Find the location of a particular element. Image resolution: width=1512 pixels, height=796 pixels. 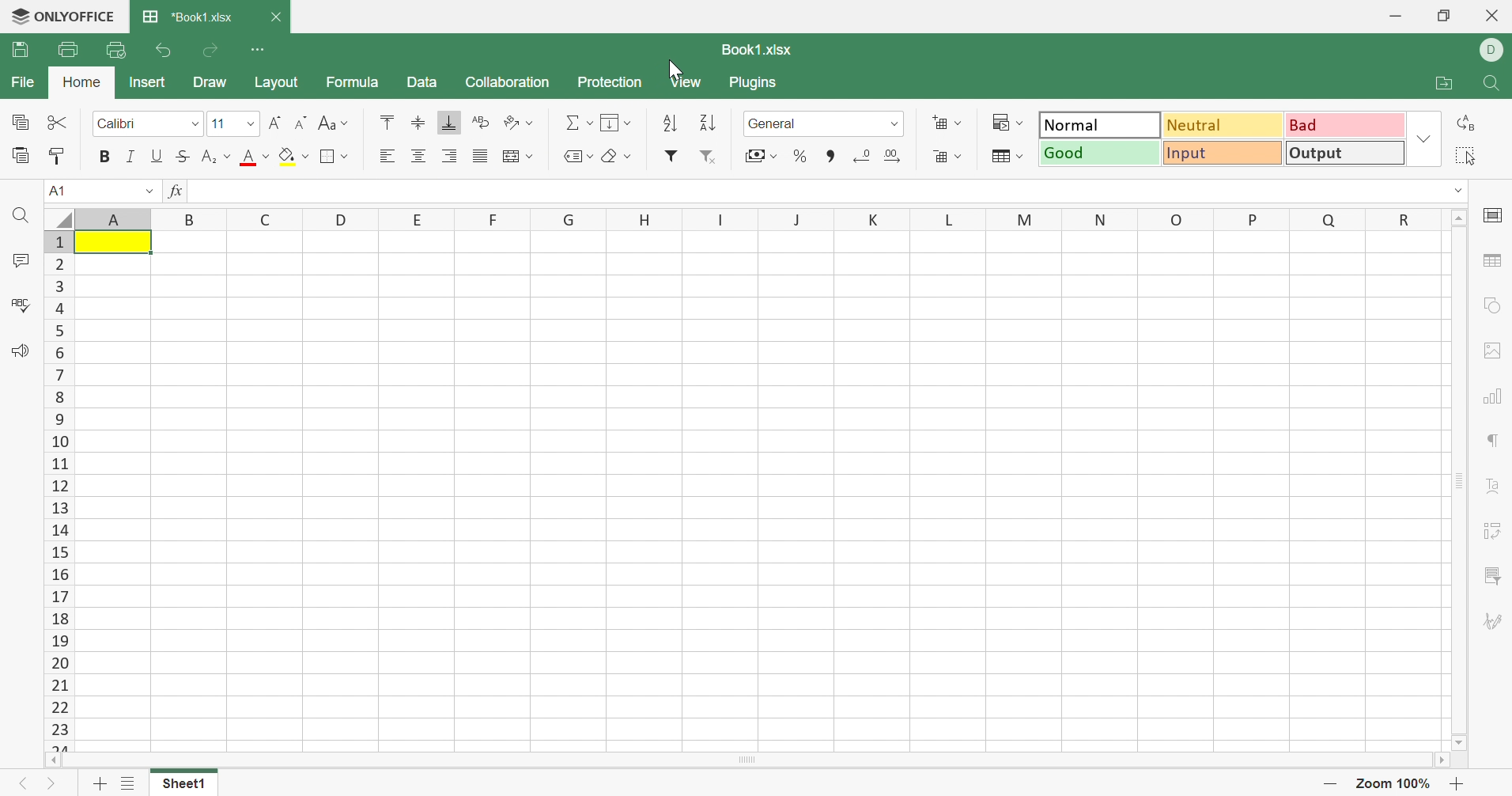

Zoom Out is located at coordinates (1332, 784).